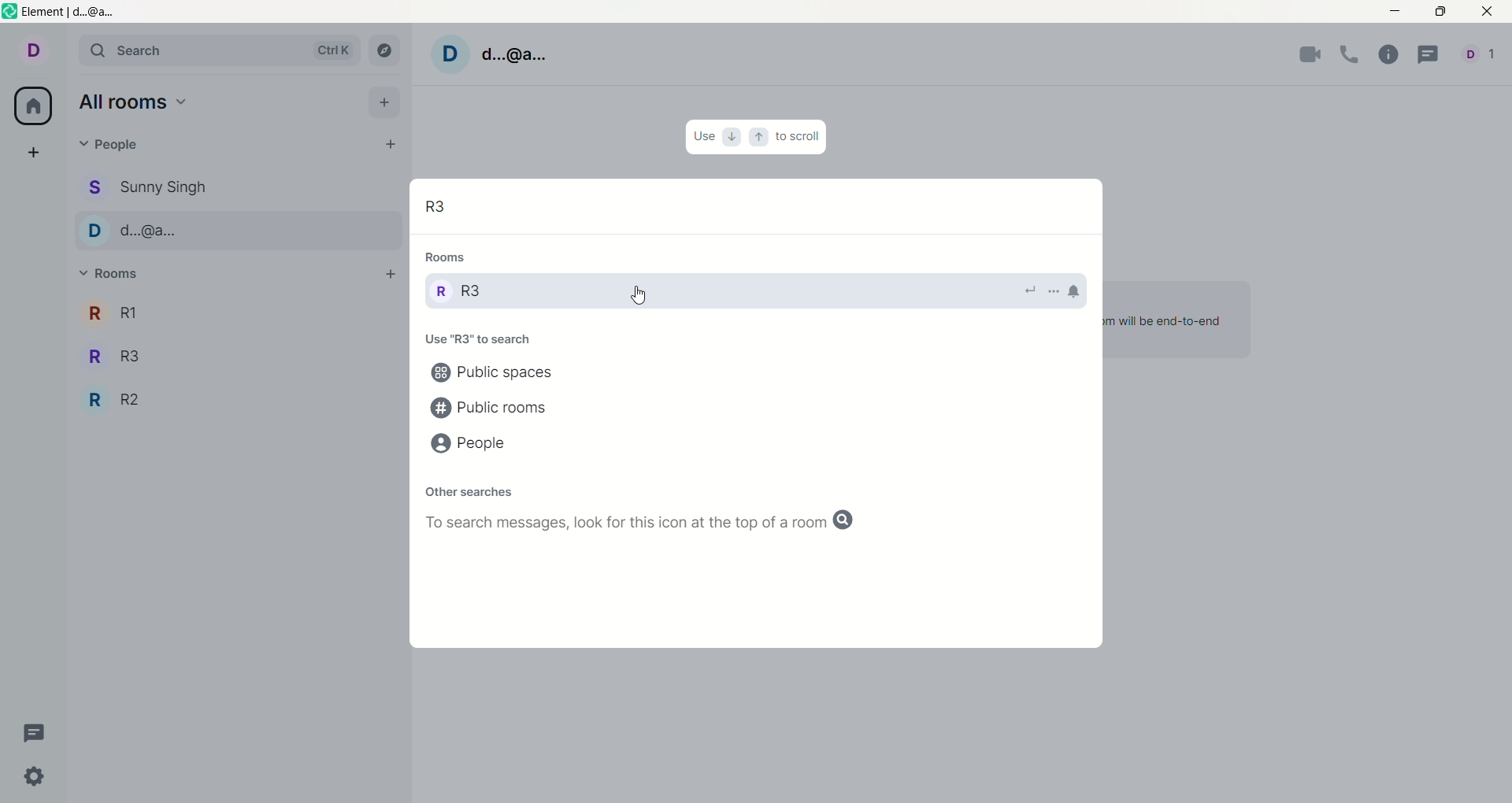 Image resolution: width=1512 pixels, height=803 pixels. I want to click on explore rooms, so click(382, 52).